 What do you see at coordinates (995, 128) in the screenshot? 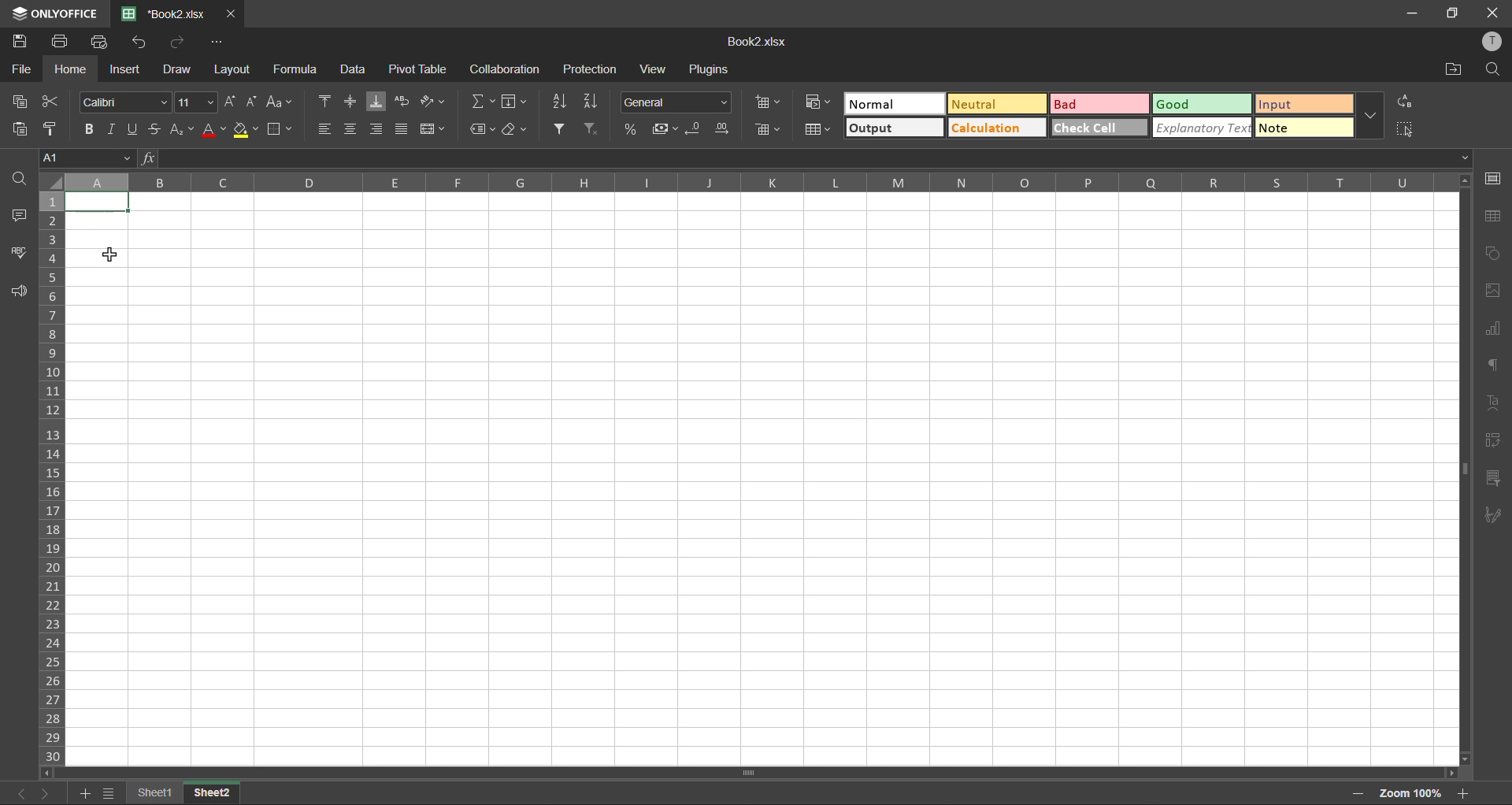
I see `calculation` at bounding box center [995, 128].